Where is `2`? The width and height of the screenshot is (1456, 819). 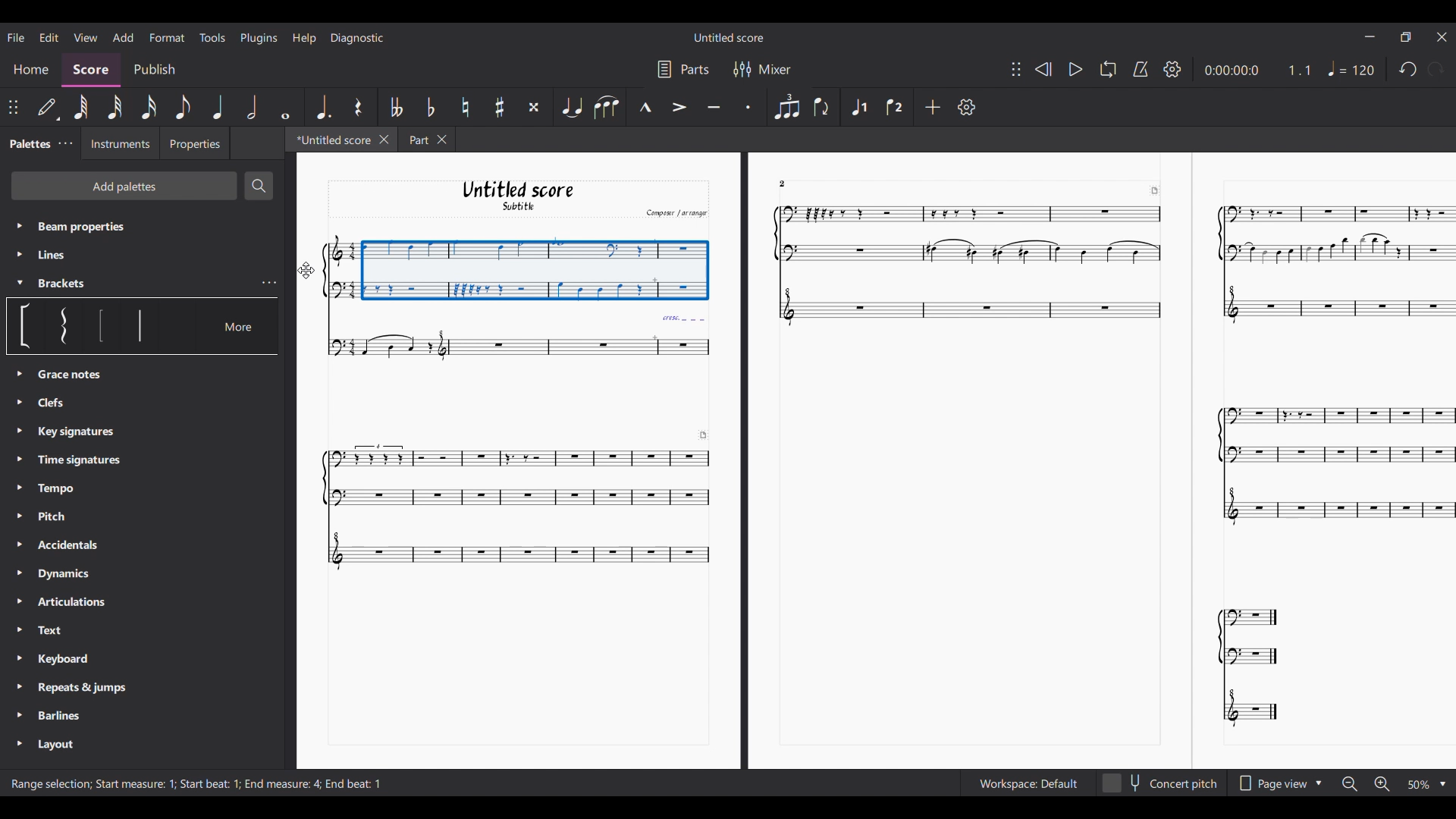
2 is located at coordinates (792, 183).